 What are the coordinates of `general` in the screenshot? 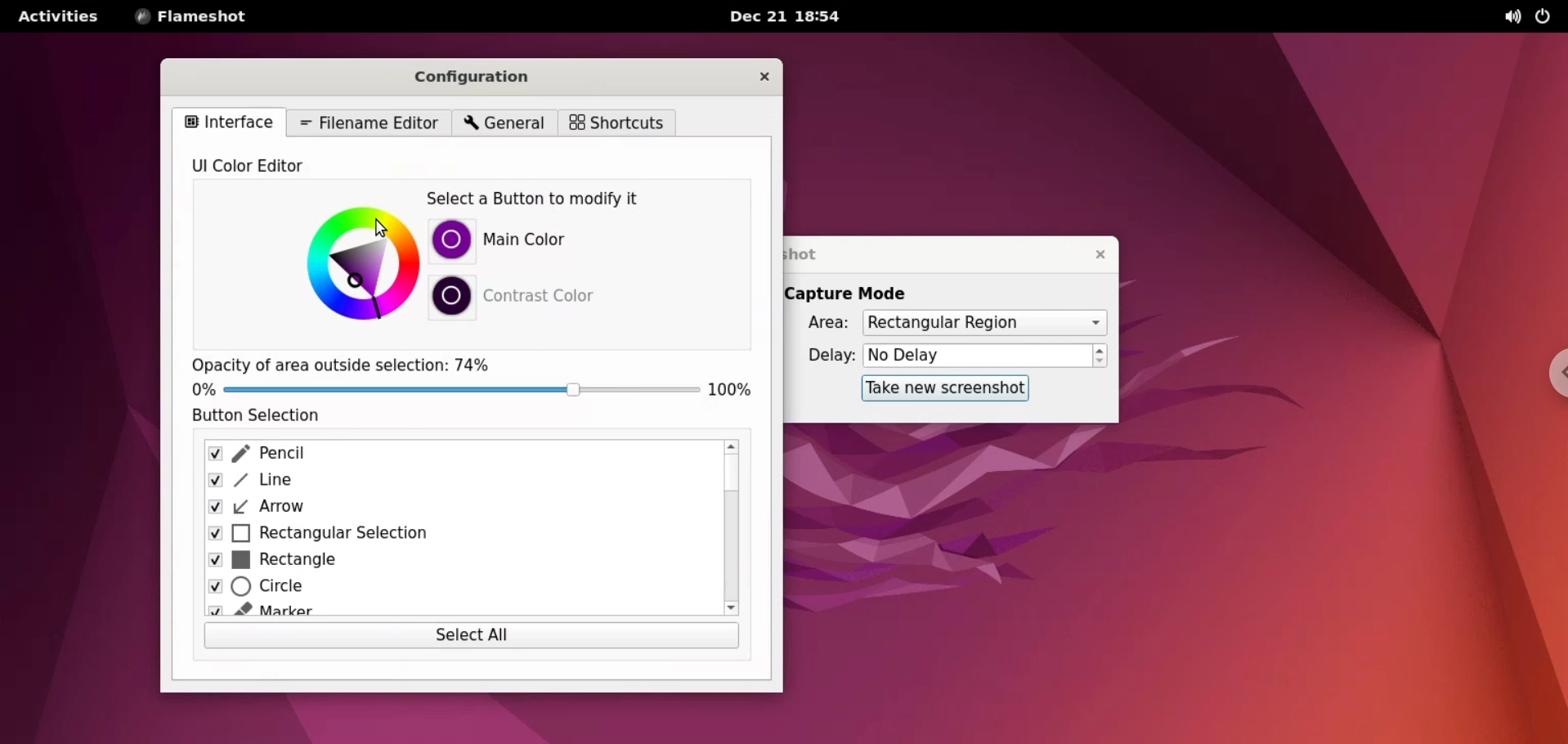 It's located at (502, 124).